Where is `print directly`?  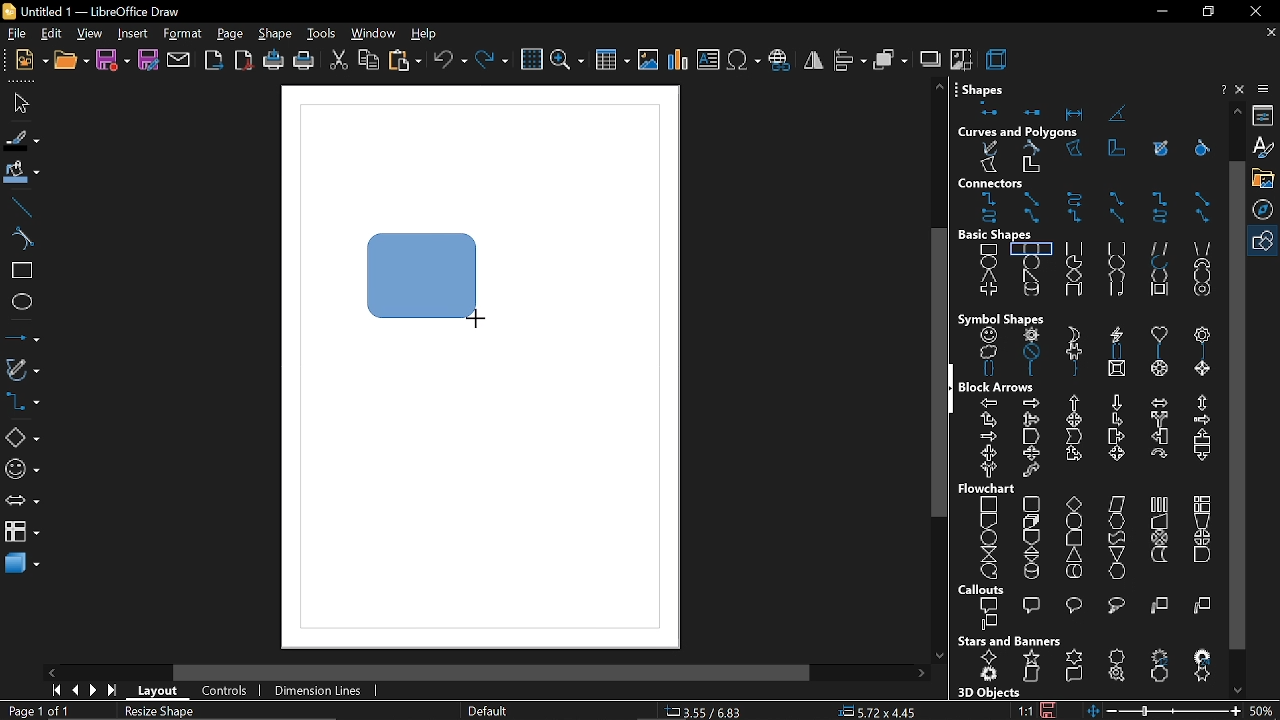
print directly is located at coordinates (272, 61).